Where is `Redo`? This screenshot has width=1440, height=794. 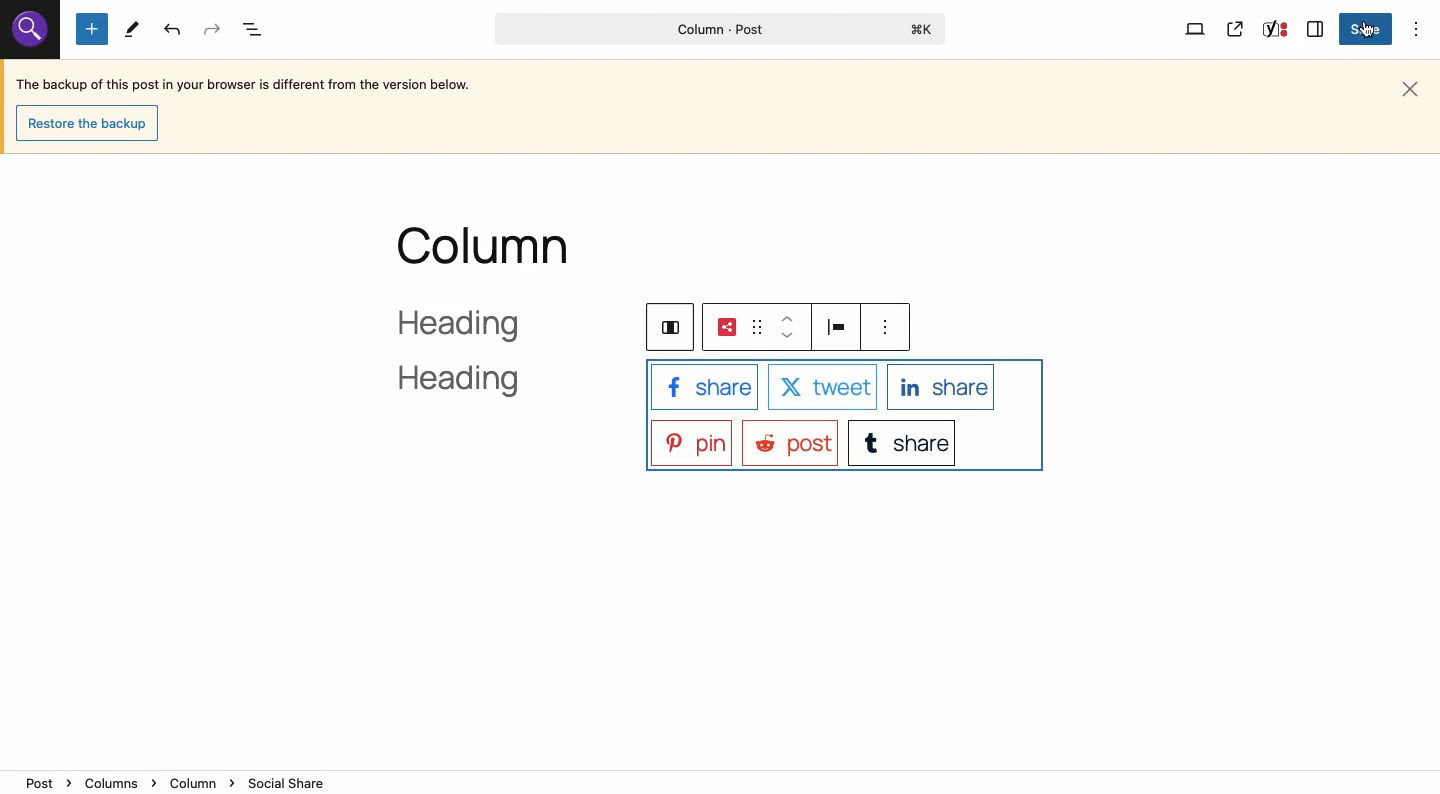
Redo is located at coordinates (213, 30).